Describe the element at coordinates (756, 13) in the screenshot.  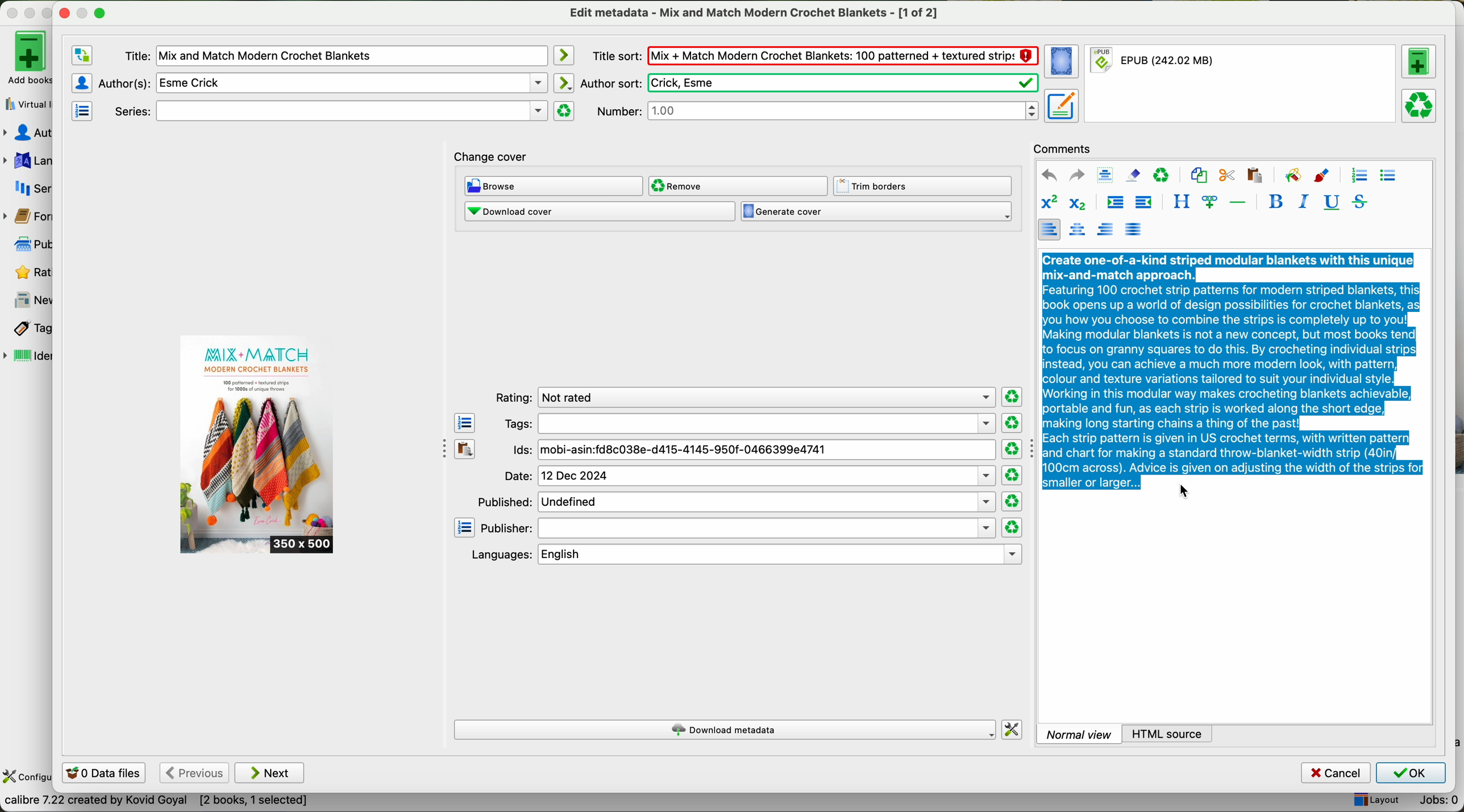
I see `edit metadata` at that location.